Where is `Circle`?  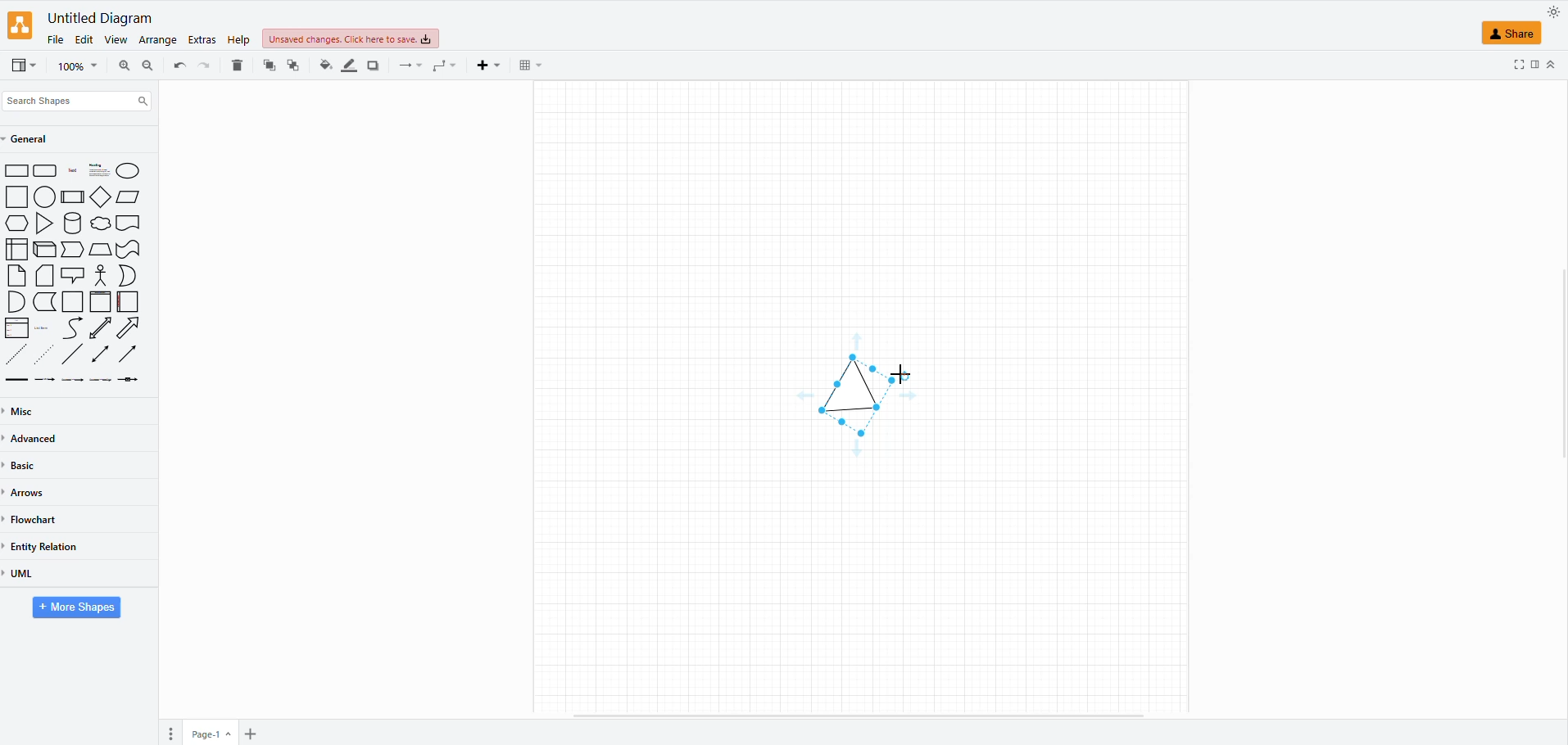
Circle is located at coordinates (128, 170).